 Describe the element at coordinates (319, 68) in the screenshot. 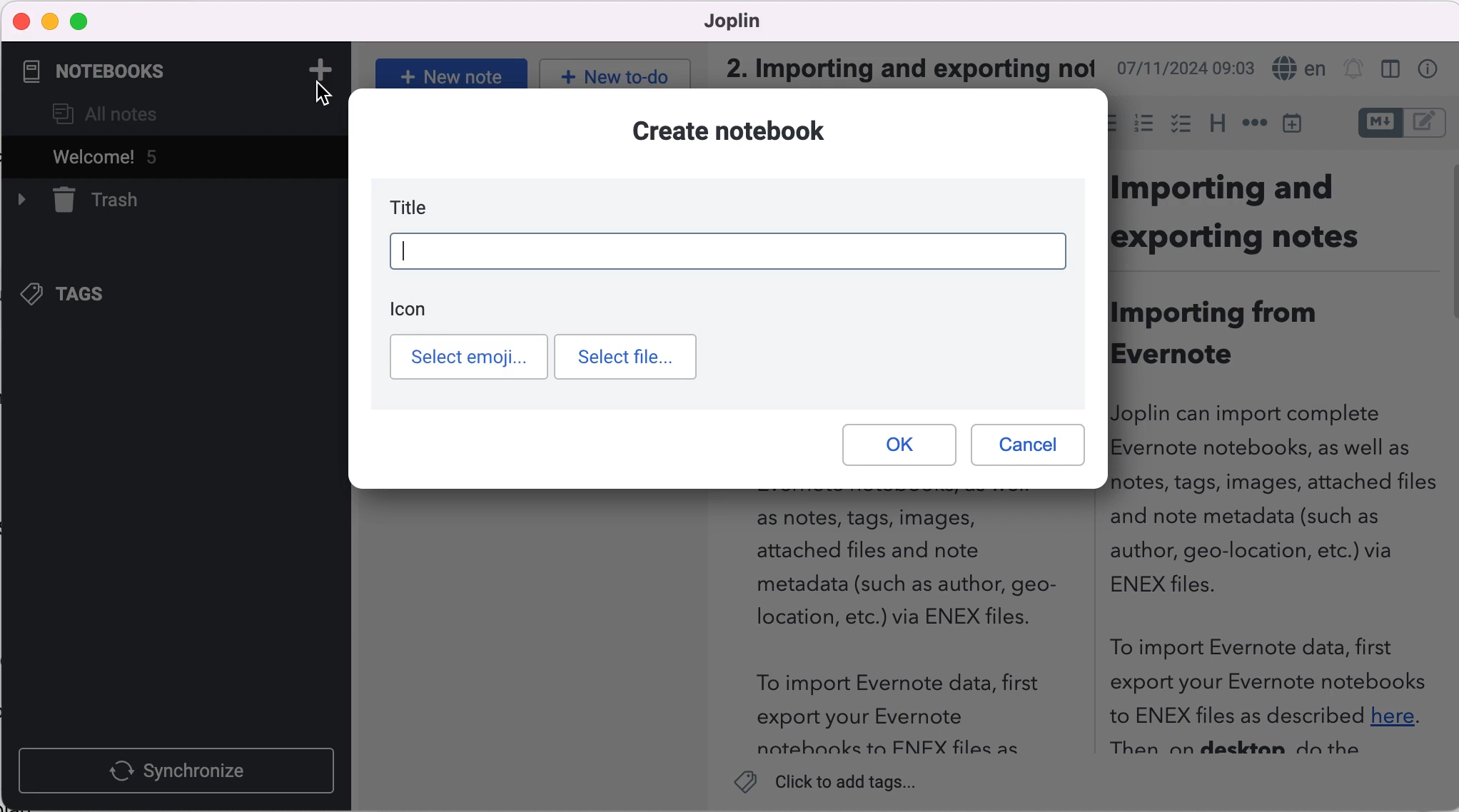

I see `add note` at that location.